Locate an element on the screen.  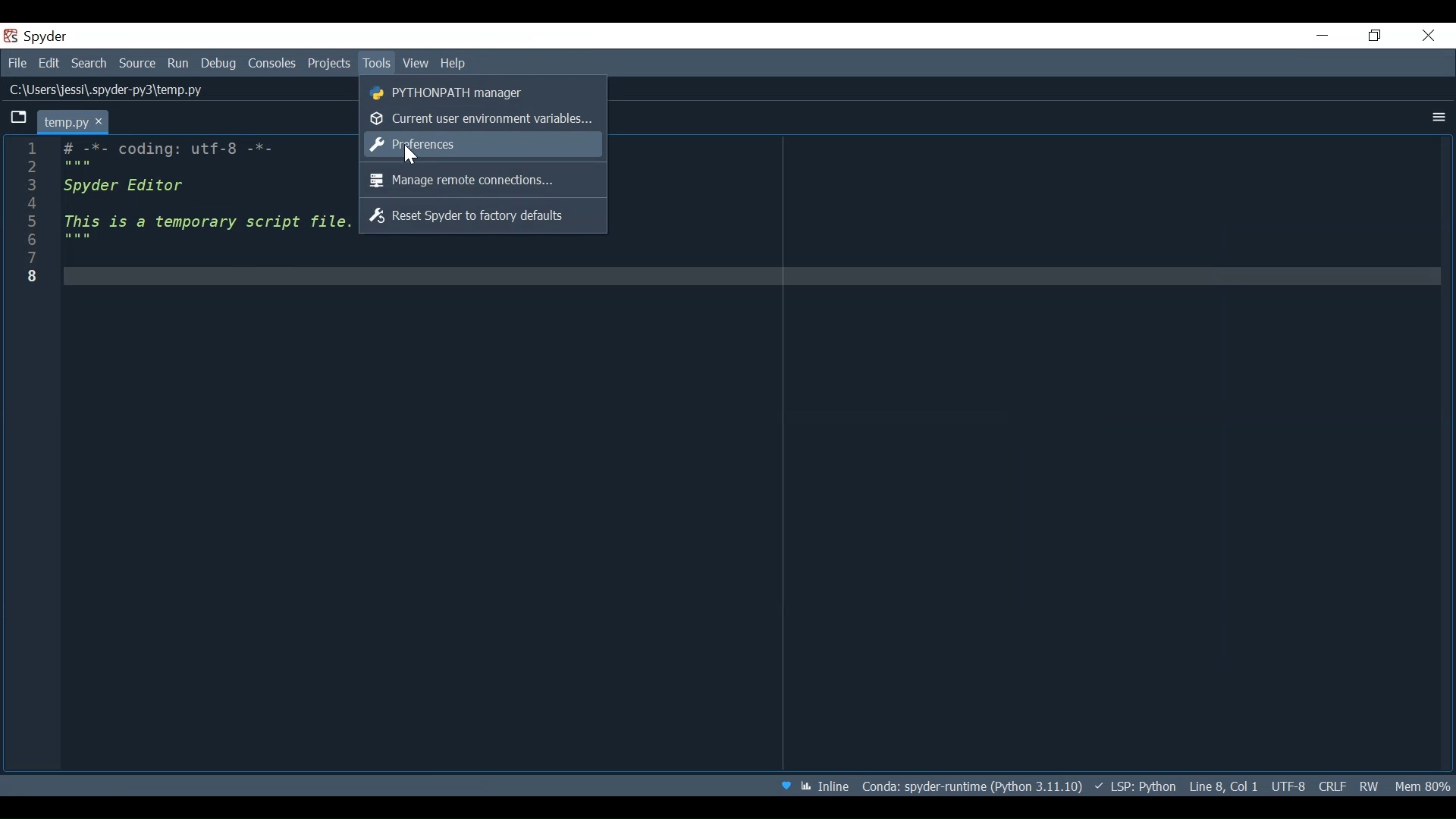
Debug is located at coordinates (214, 63).